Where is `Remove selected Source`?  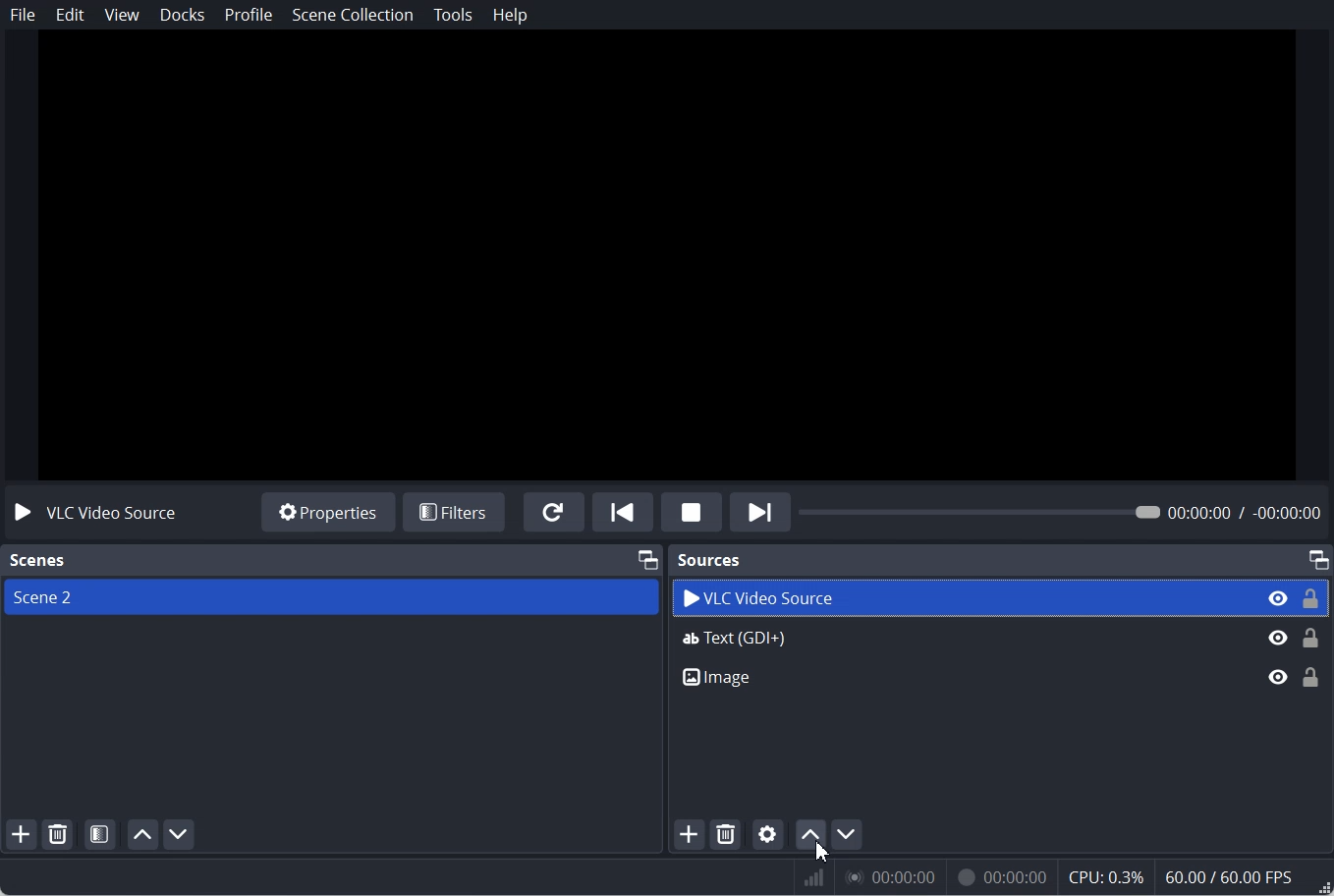
Remove selected Source is located at coordinates (726, 834).